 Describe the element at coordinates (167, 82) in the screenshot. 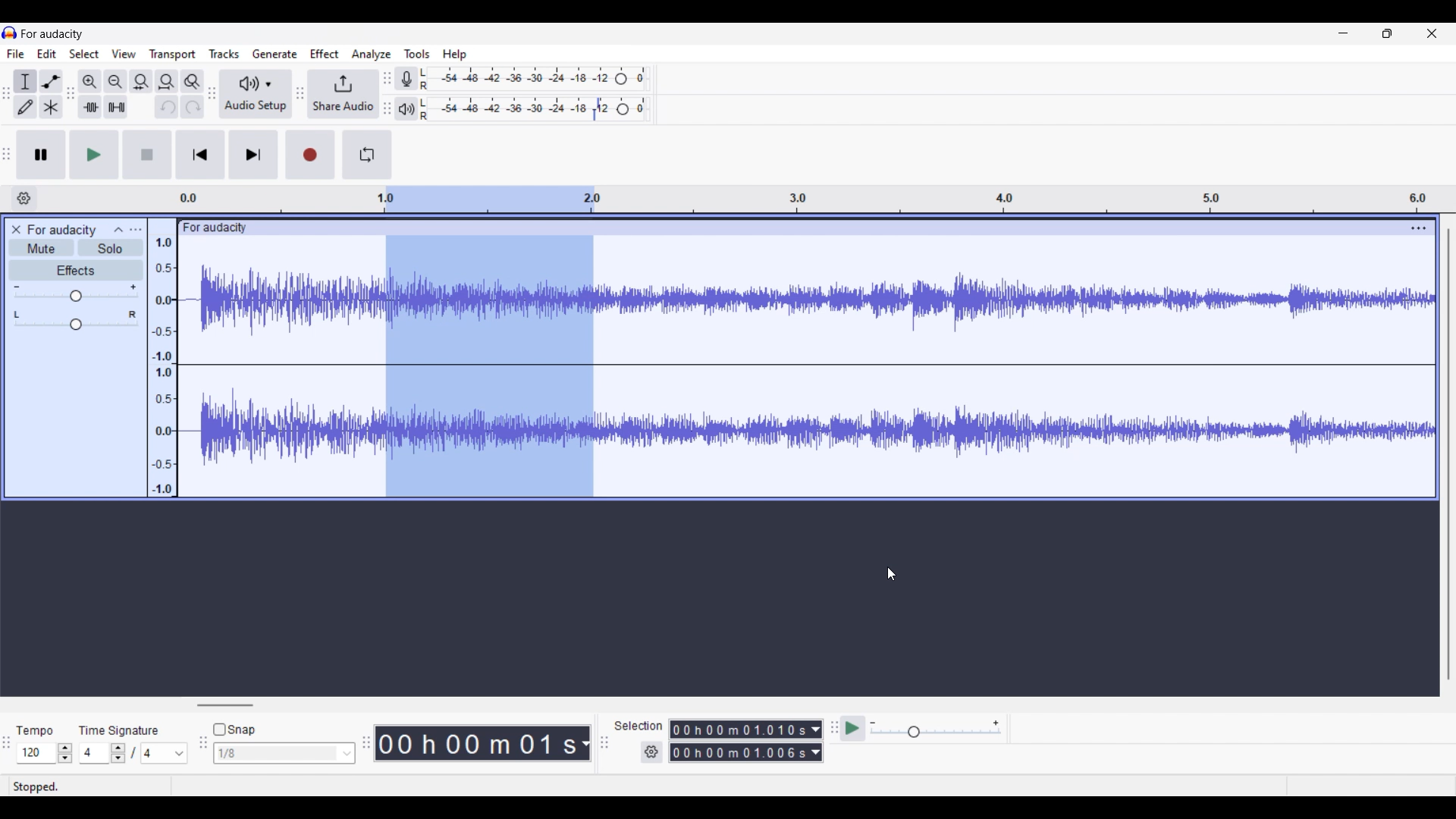

I see `Fit track to width` at that location.